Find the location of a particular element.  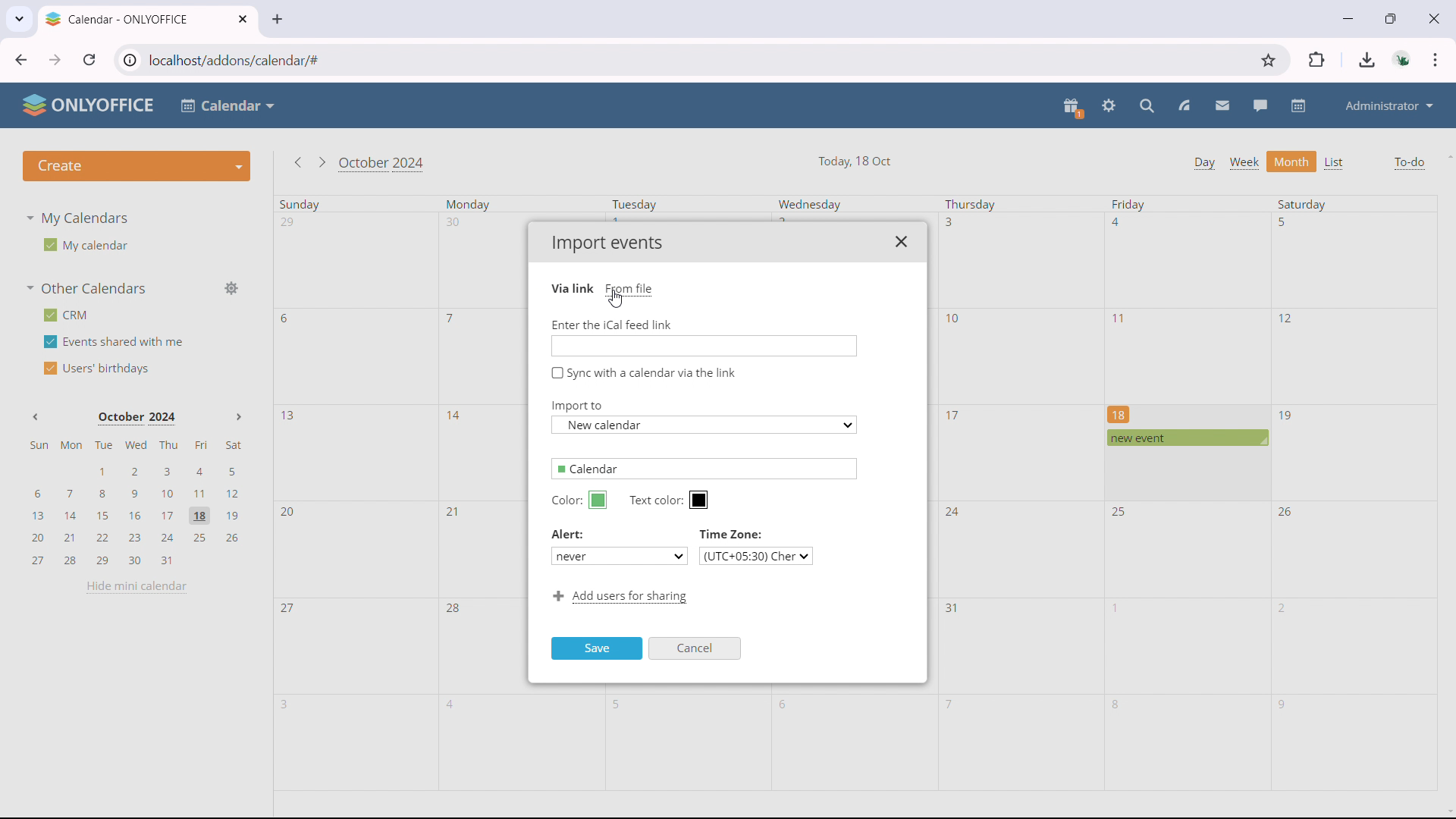

1 is located at coordinates (1118, 608).